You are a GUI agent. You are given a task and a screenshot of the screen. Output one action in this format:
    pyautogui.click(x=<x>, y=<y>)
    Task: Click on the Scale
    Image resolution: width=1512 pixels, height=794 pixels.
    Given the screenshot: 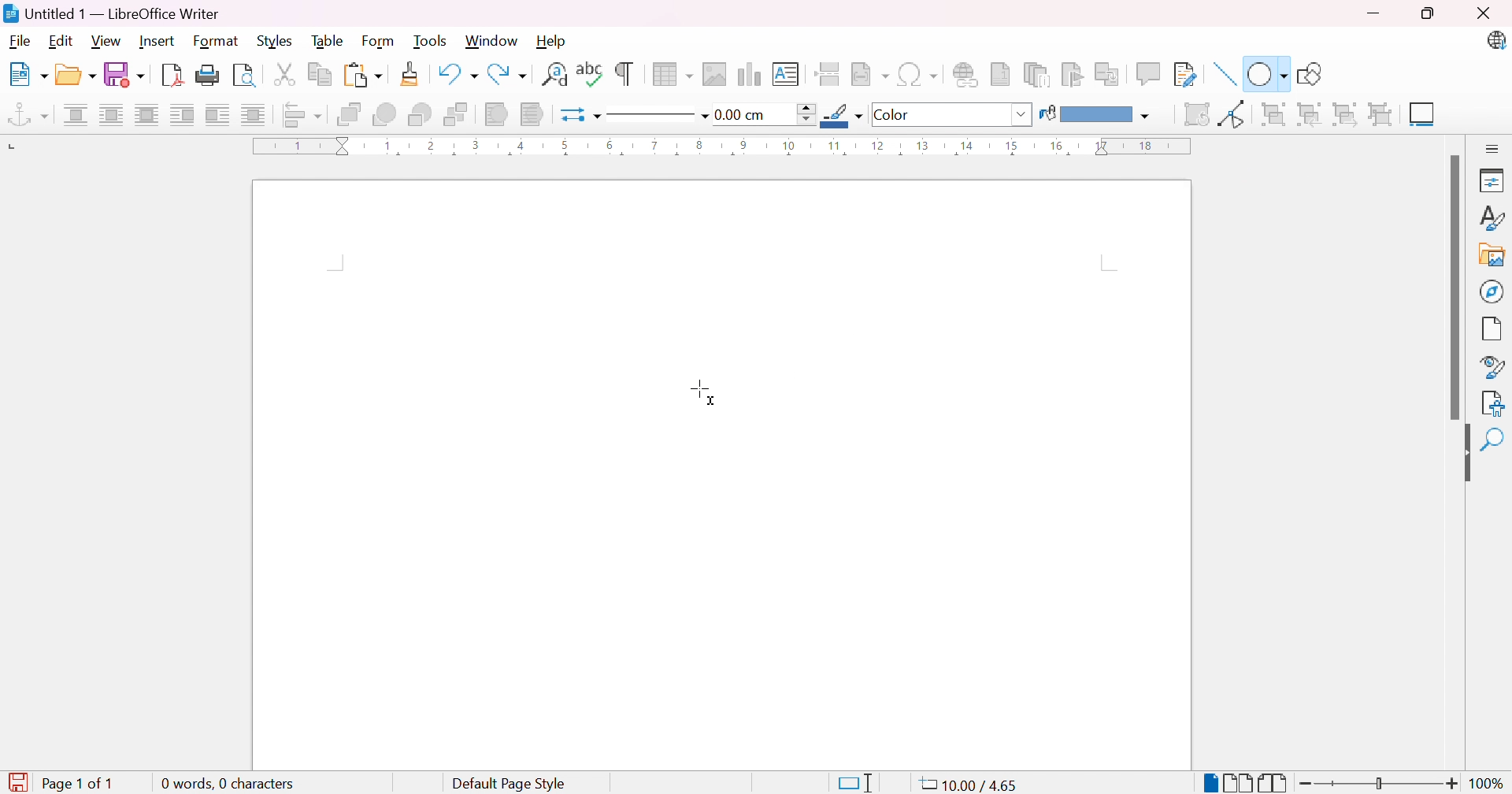 What is the action you would take?
    pyautogui.click(x=721, y=146)
    